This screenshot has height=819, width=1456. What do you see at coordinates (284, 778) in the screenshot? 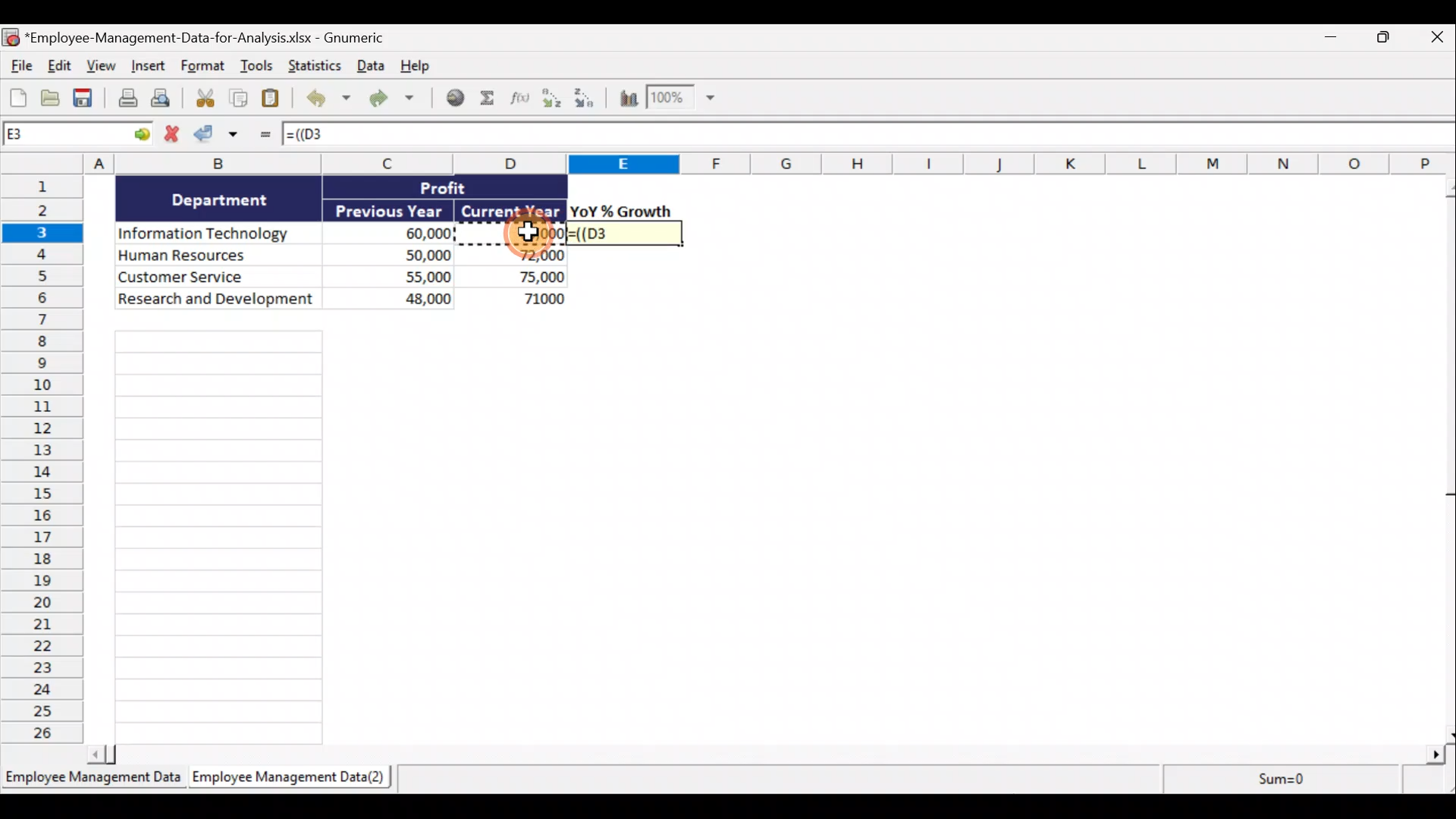
I see `Sheet 2` at bounding box center [284, 778].